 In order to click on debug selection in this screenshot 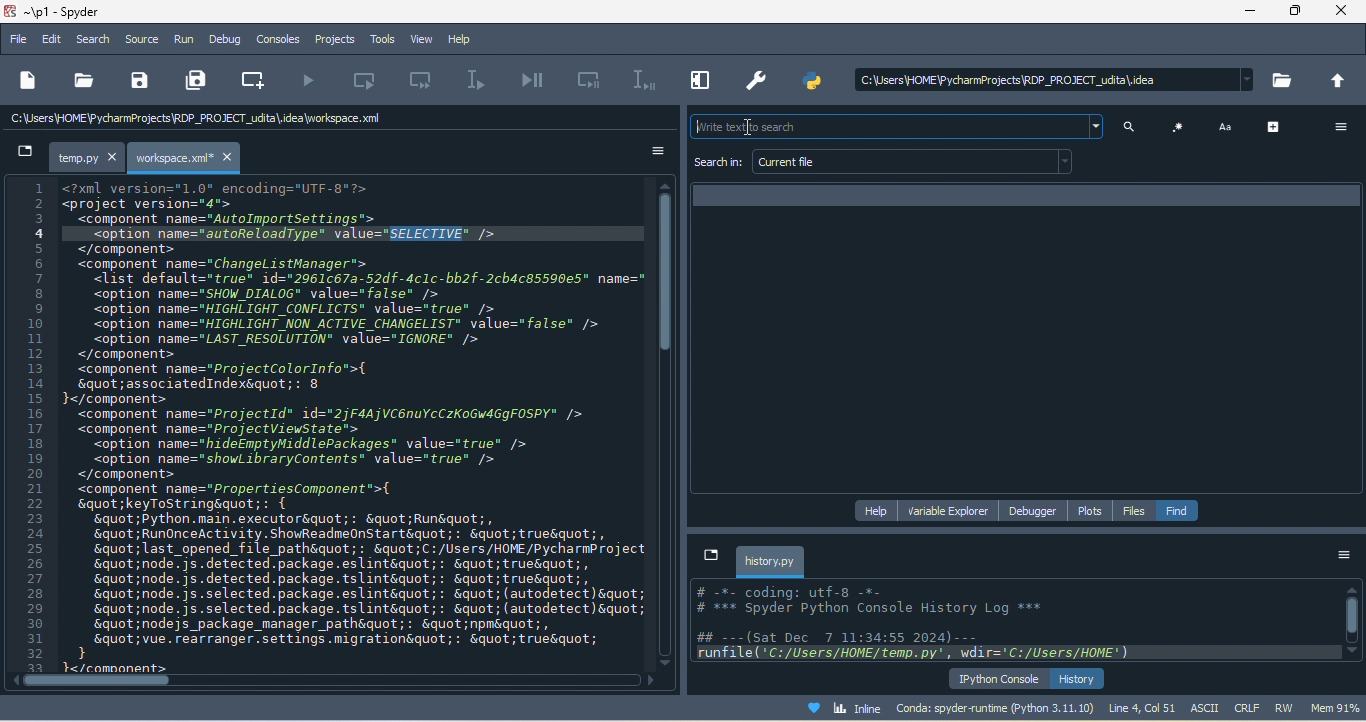, I will do `click(640, 80)`.